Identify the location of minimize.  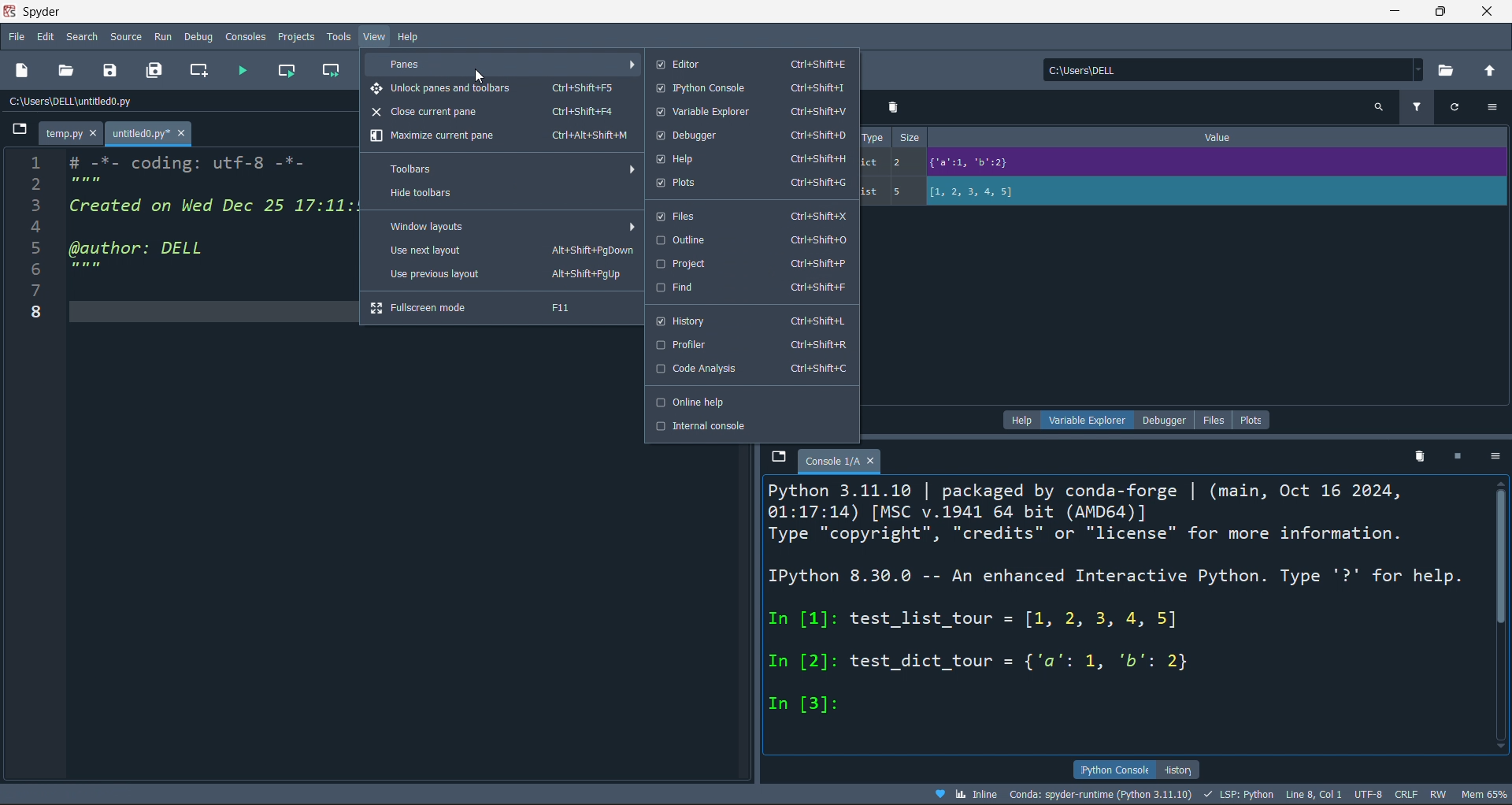
(1400, 12).